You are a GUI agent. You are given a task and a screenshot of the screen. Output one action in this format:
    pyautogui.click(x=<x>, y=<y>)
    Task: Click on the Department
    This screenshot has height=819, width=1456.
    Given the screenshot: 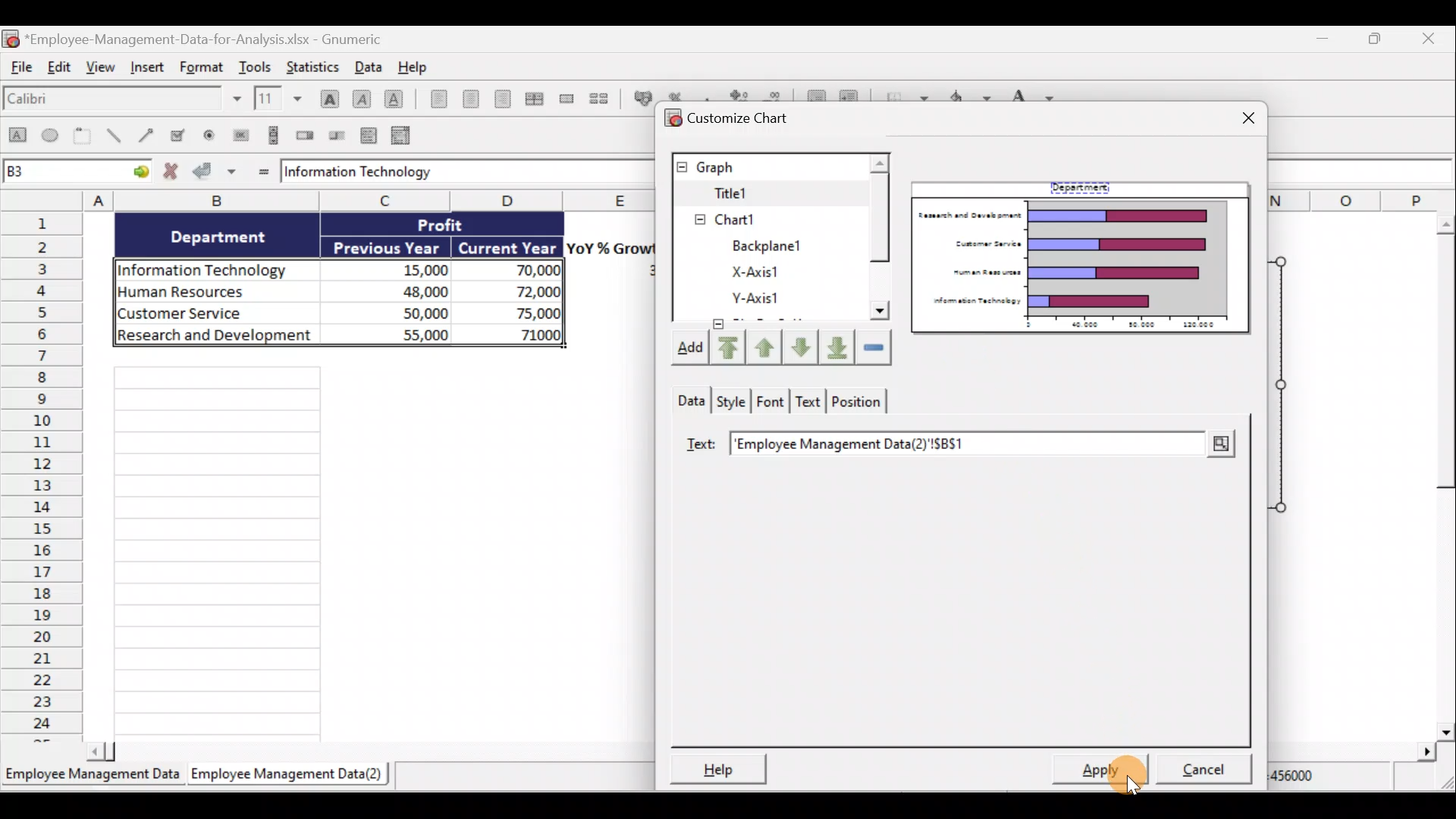 What is the action you would take?
    pyautogui.click(x=1084, y=188)
    